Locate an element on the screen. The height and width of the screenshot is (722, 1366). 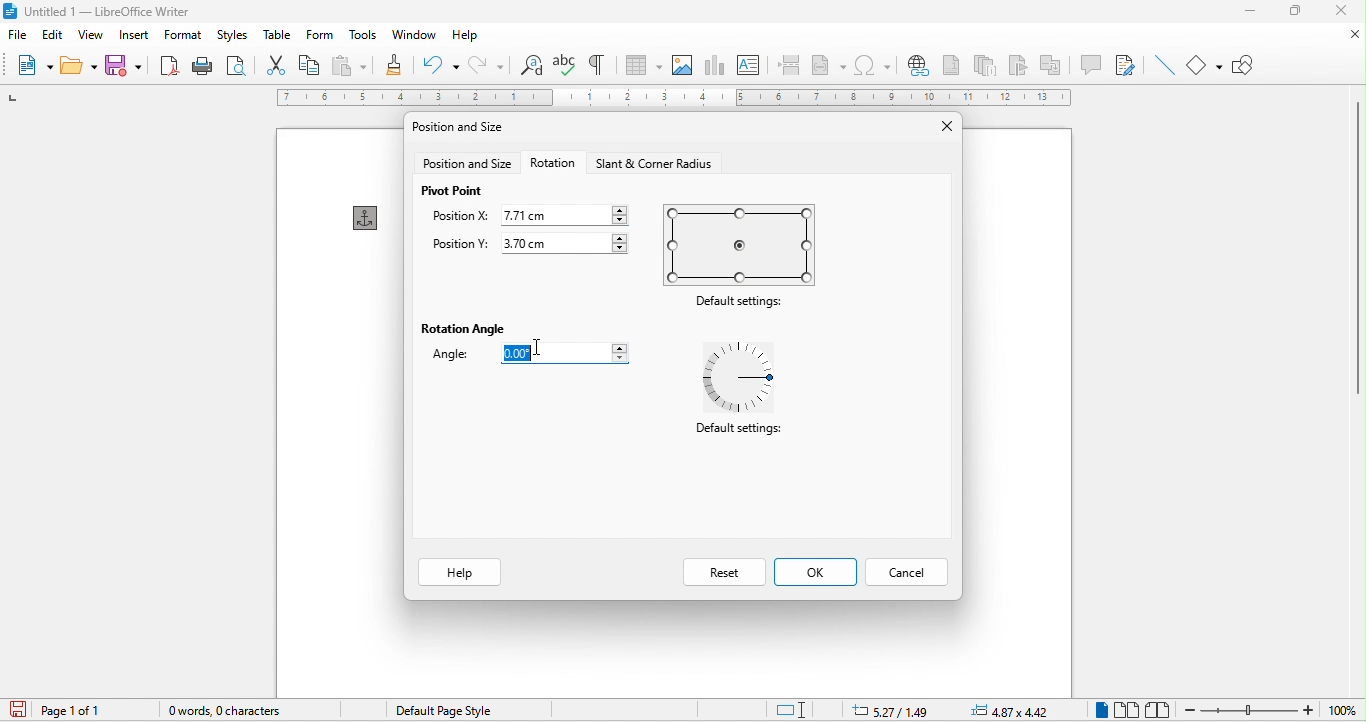
special character is located at coordinates (875, 66).